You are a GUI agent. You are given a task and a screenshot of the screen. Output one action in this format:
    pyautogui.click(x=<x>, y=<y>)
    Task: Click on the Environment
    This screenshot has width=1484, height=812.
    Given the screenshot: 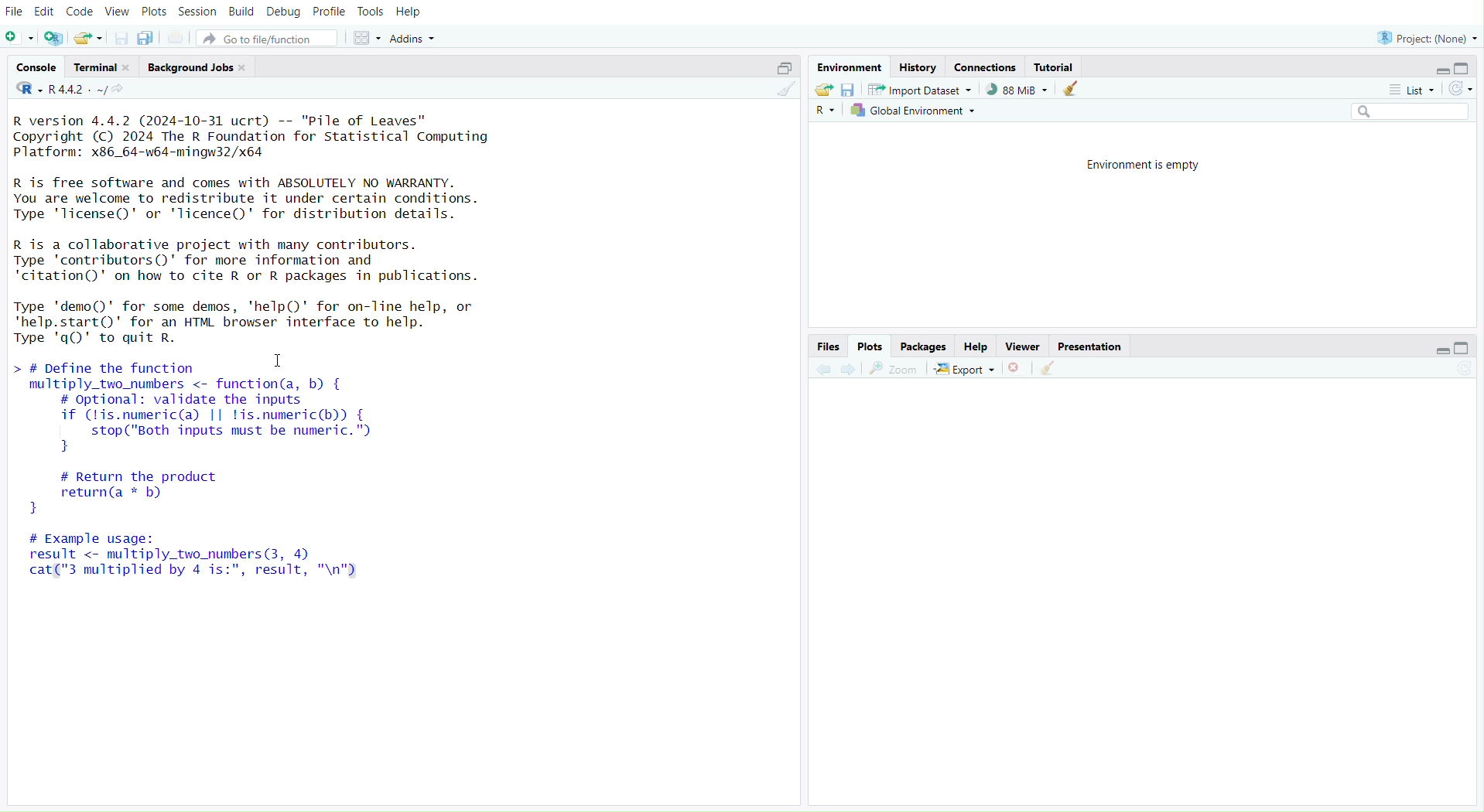 What is the action you would take?
    pyautogui.click(x=848, y=67)
    